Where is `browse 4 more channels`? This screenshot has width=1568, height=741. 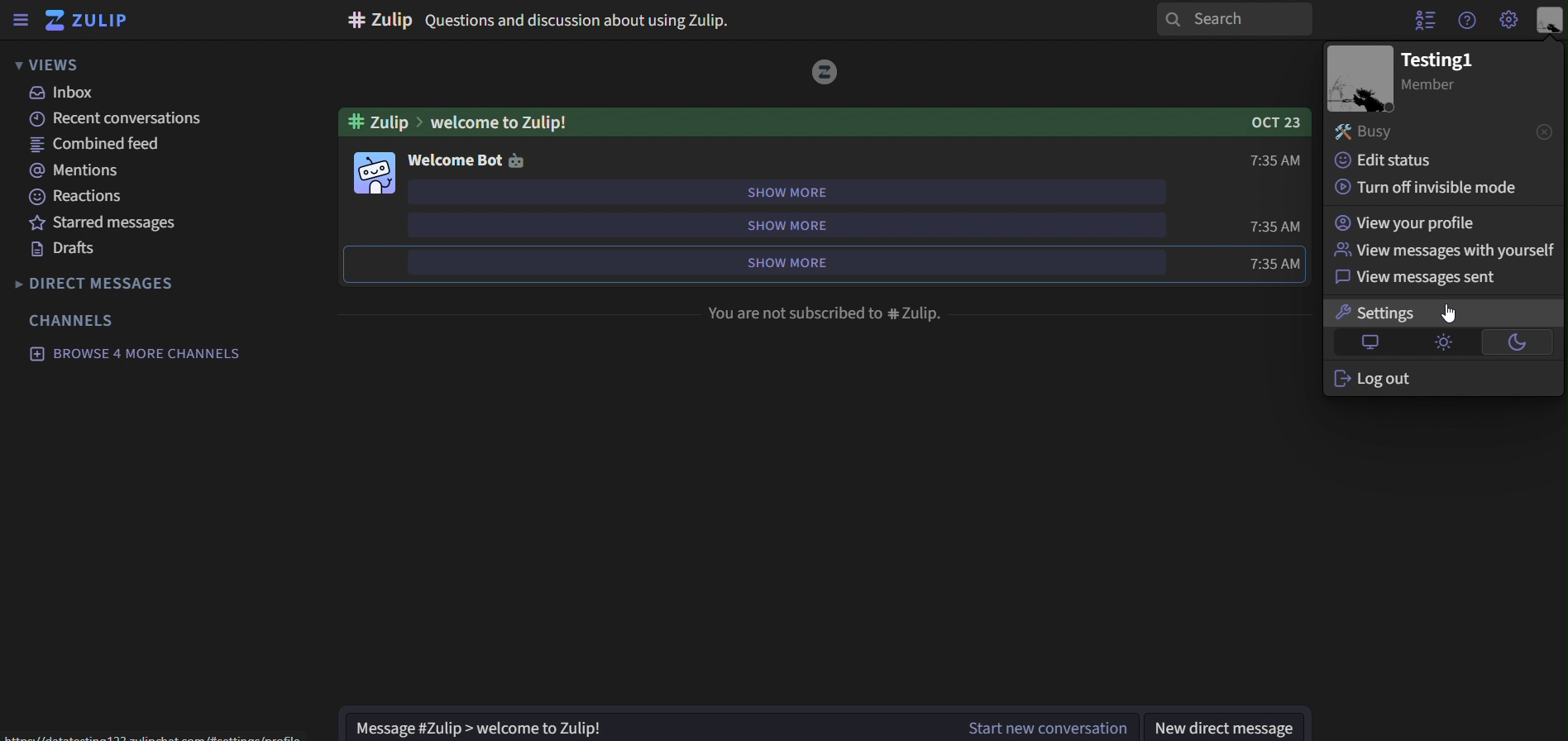 browse 4 more channels is located at coordinates (136, 354).